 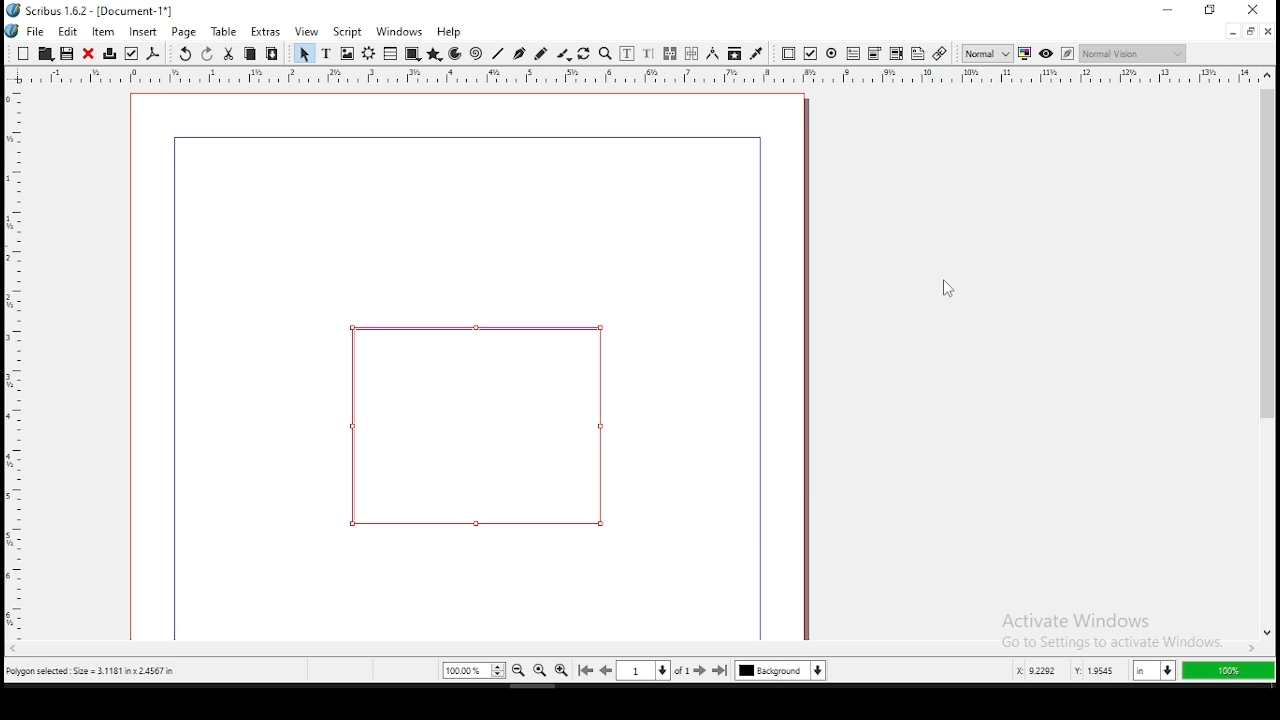 What do you see at coordinates (183, 32) in the screenshot?
I see `page` at bounding box center [183, 32].